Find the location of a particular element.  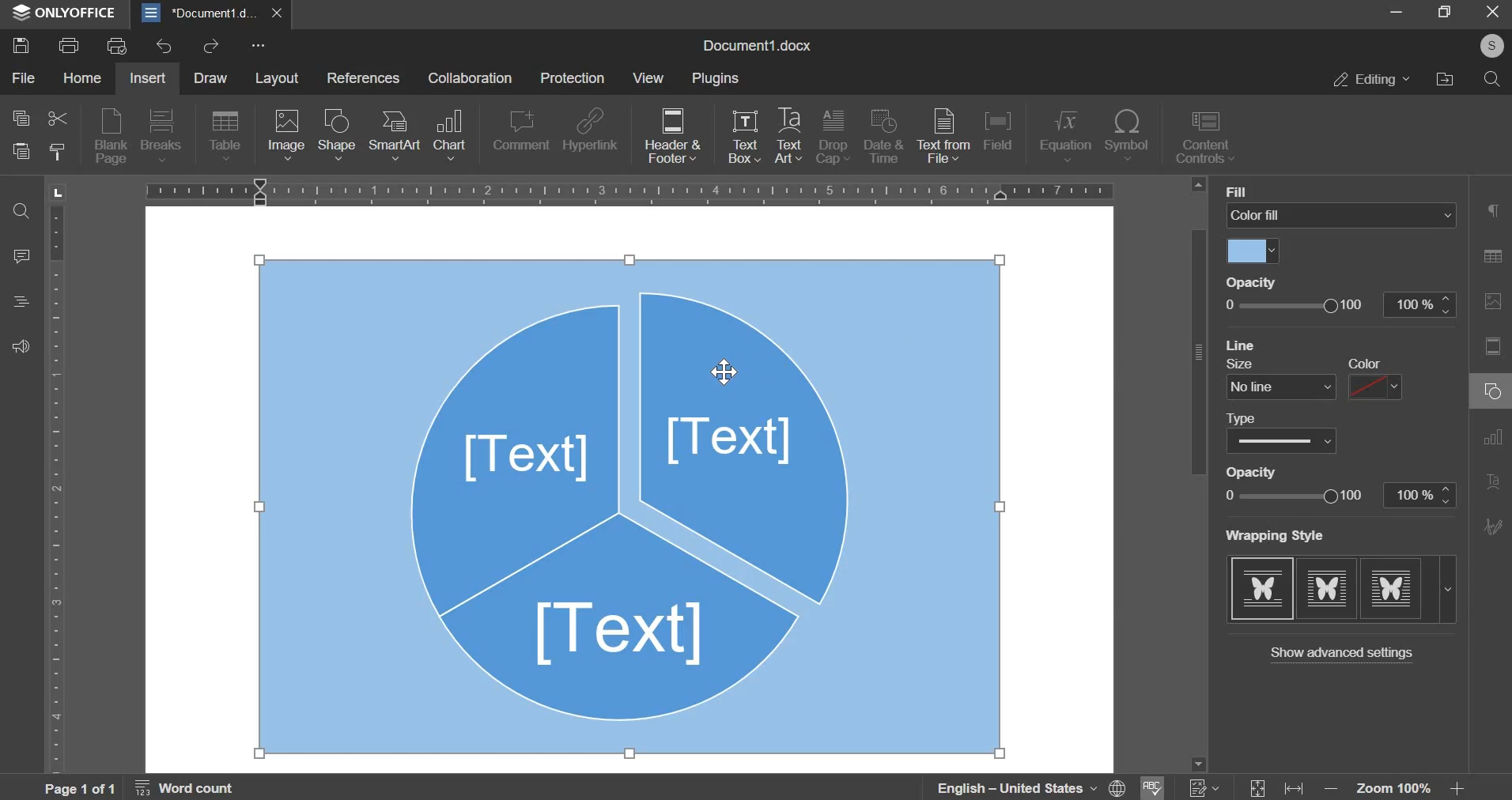

hyperlink is located at coordinates (592, 128).